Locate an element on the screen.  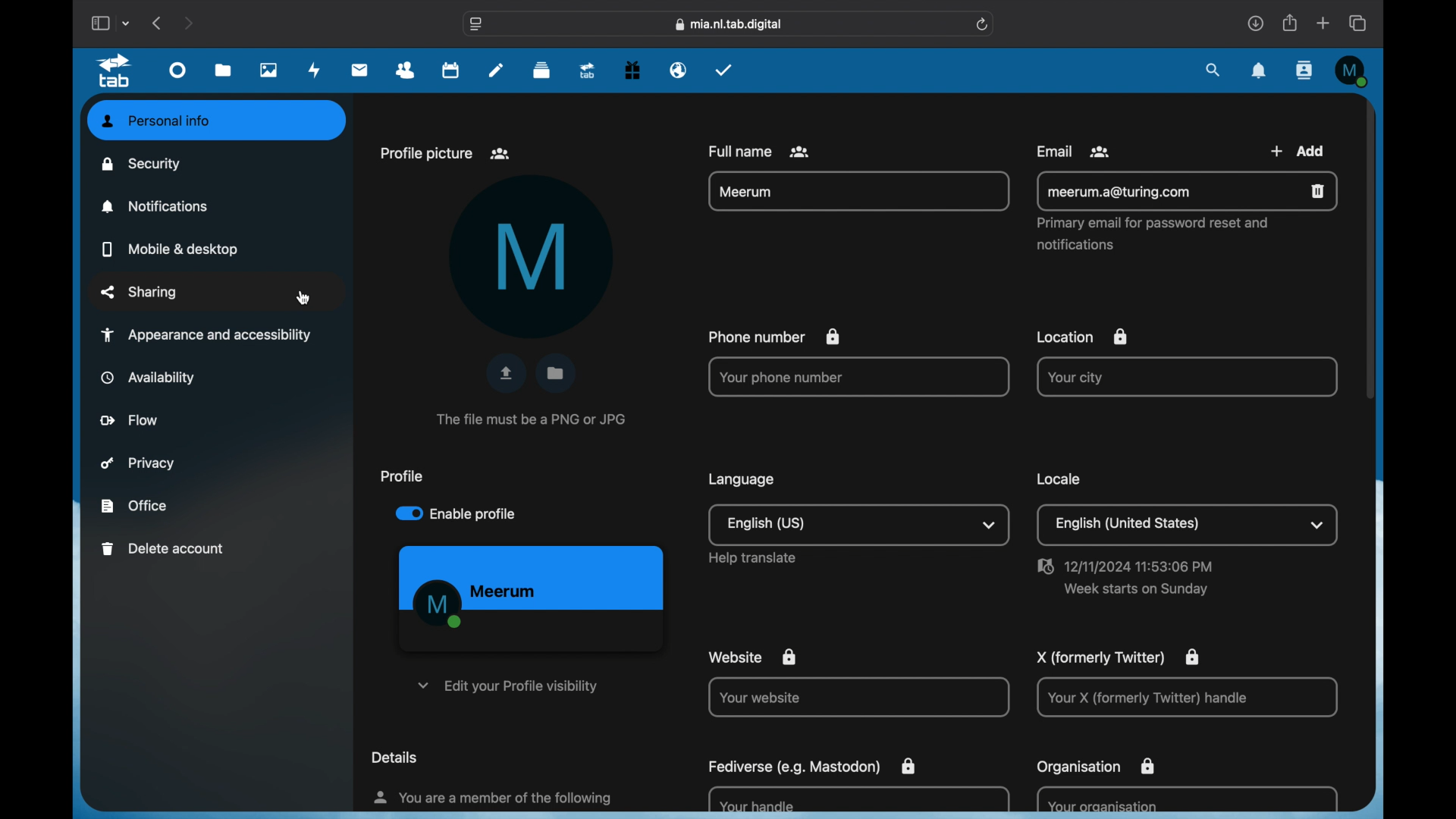
Full name is located at coordinates (760, 152).